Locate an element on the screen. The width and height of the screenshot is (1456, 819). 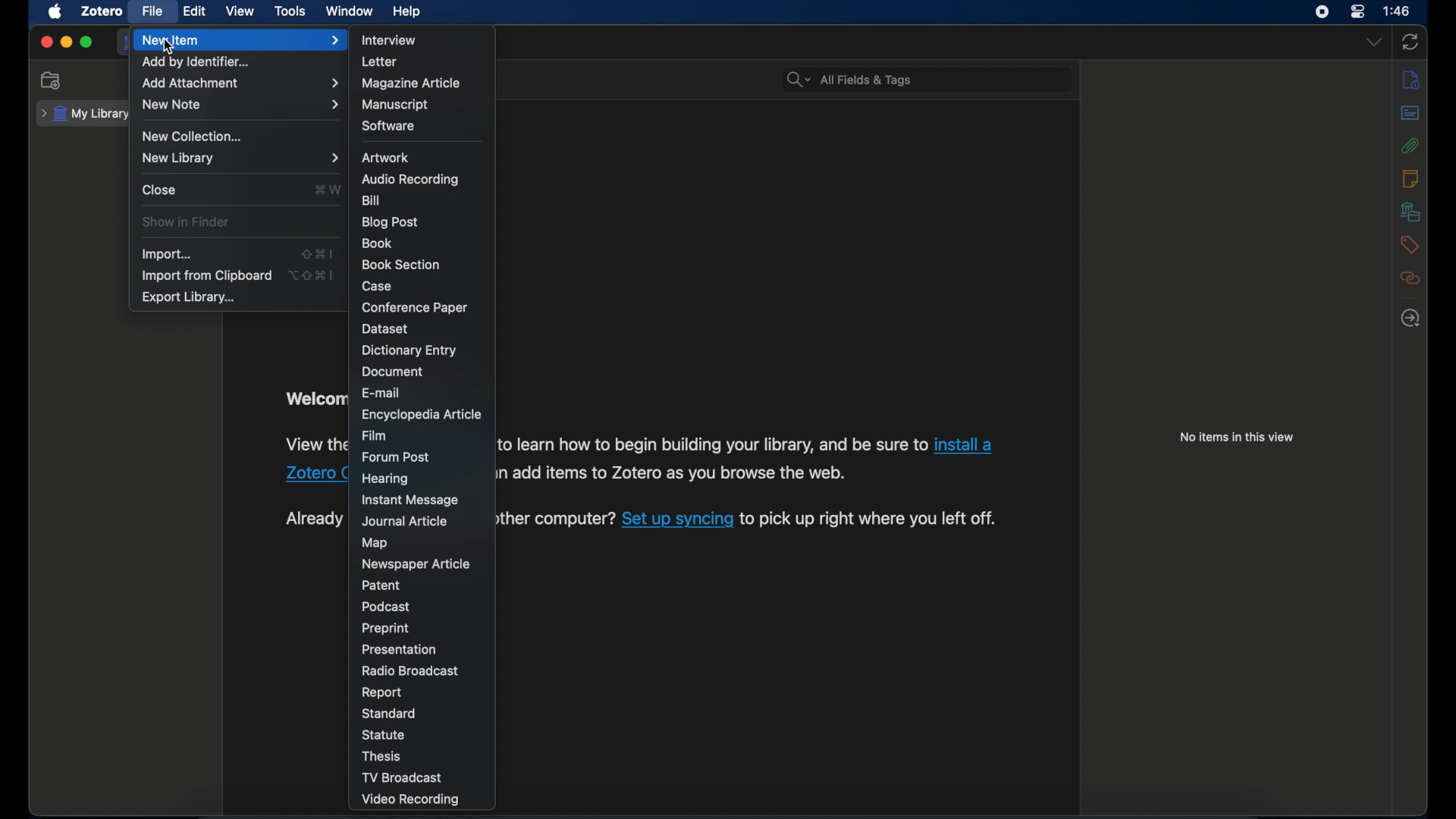
Welcome is located at coordinates (313, 401).